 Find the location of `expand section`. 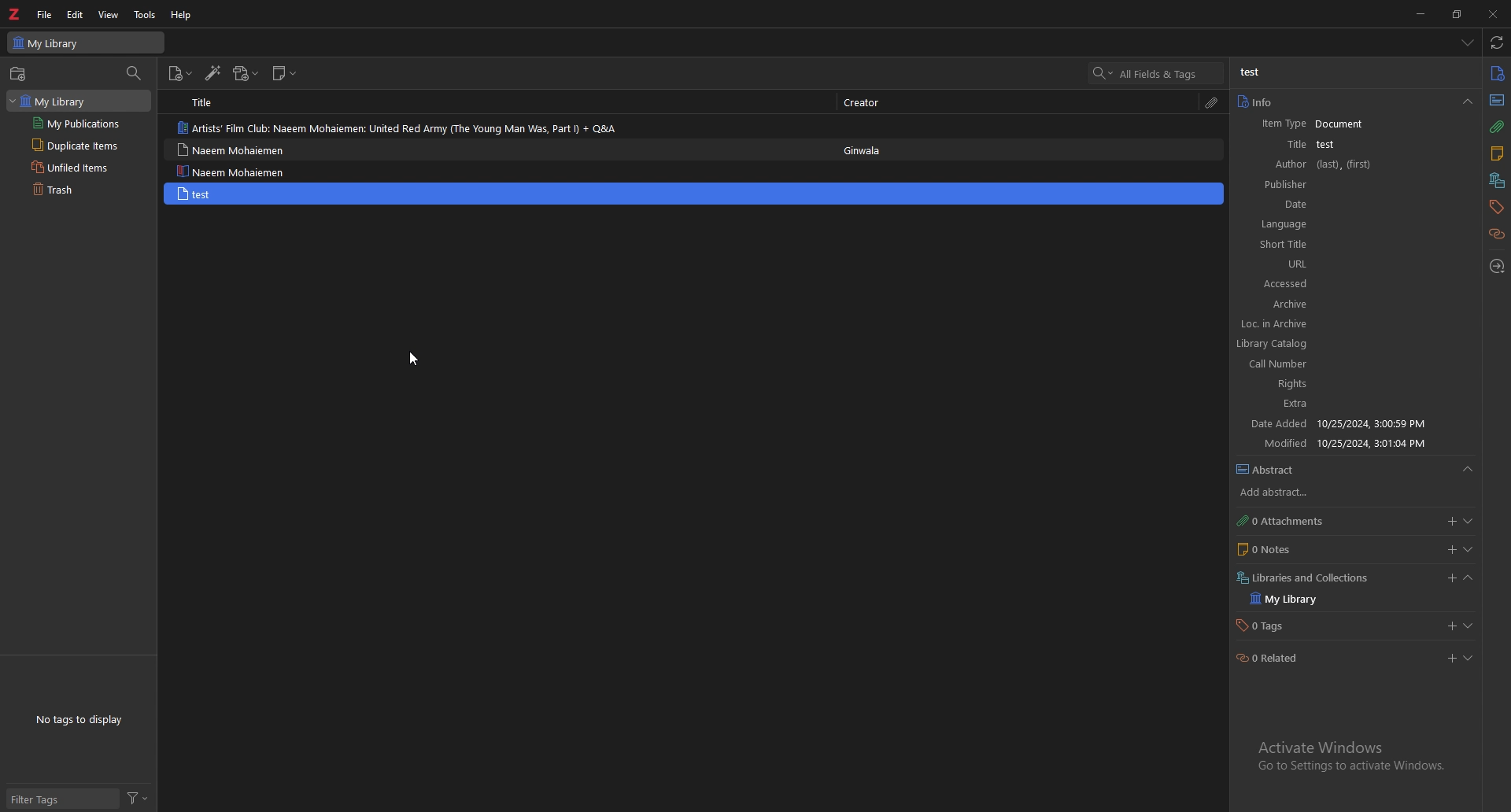

expand section is located at coordinates (1471, 548).